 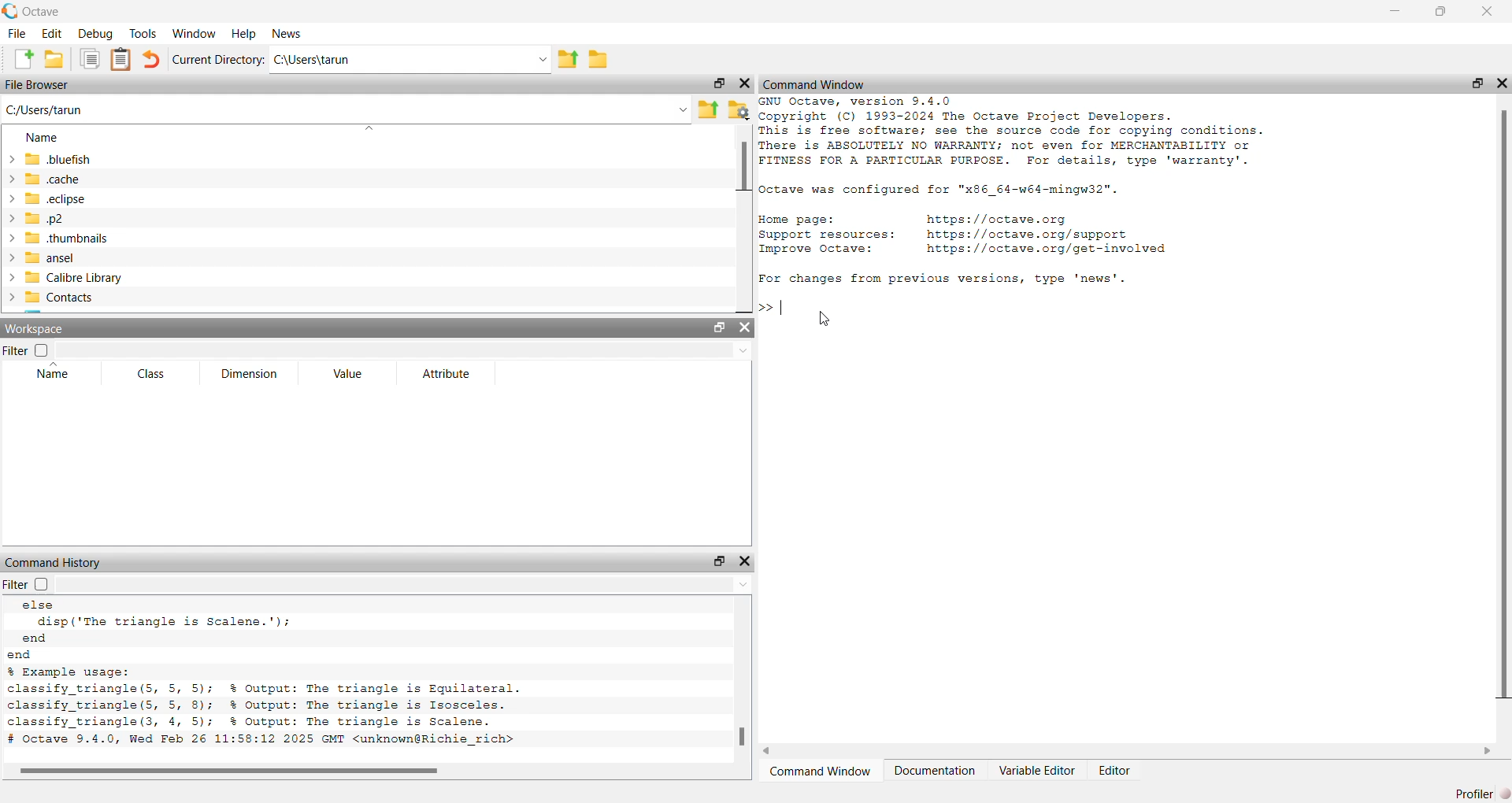 I want to click on filter input field, so click(x=411, y=585).